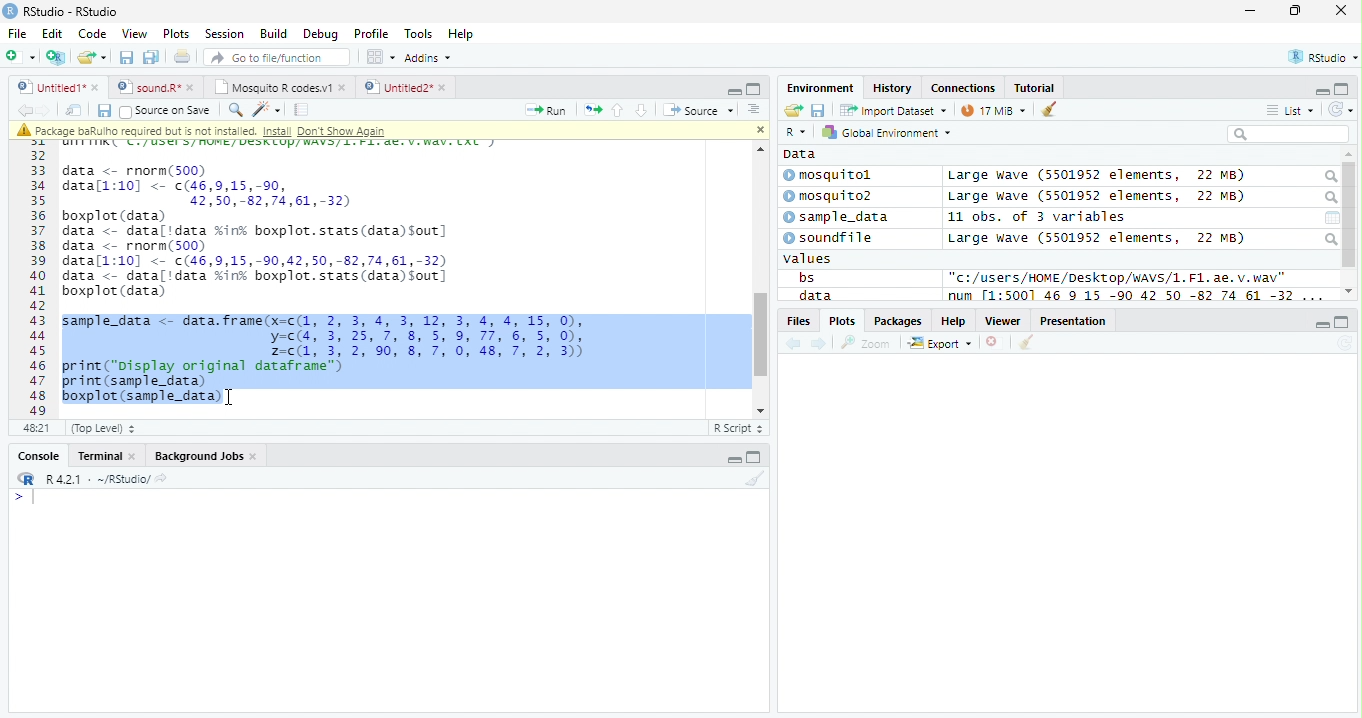 The width and height of the screenshot is (1362, 718). Describe the element at coordinates (382, 57) in the screenshot. I see `workspace panes` at that location.